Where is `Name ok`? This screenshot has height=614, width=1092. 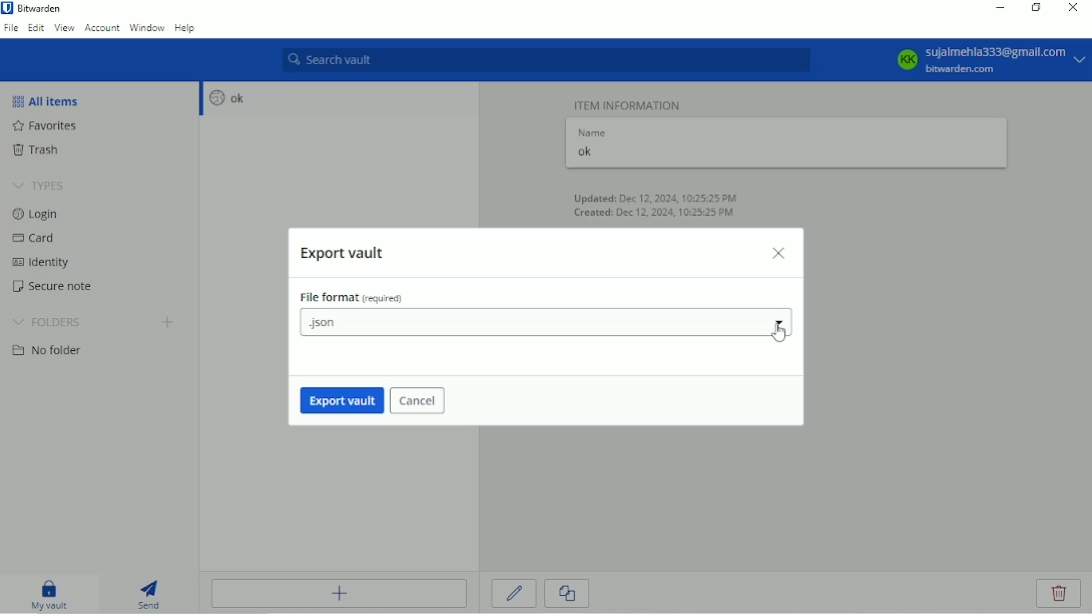
Name ok is located at coordinates (593, 145).